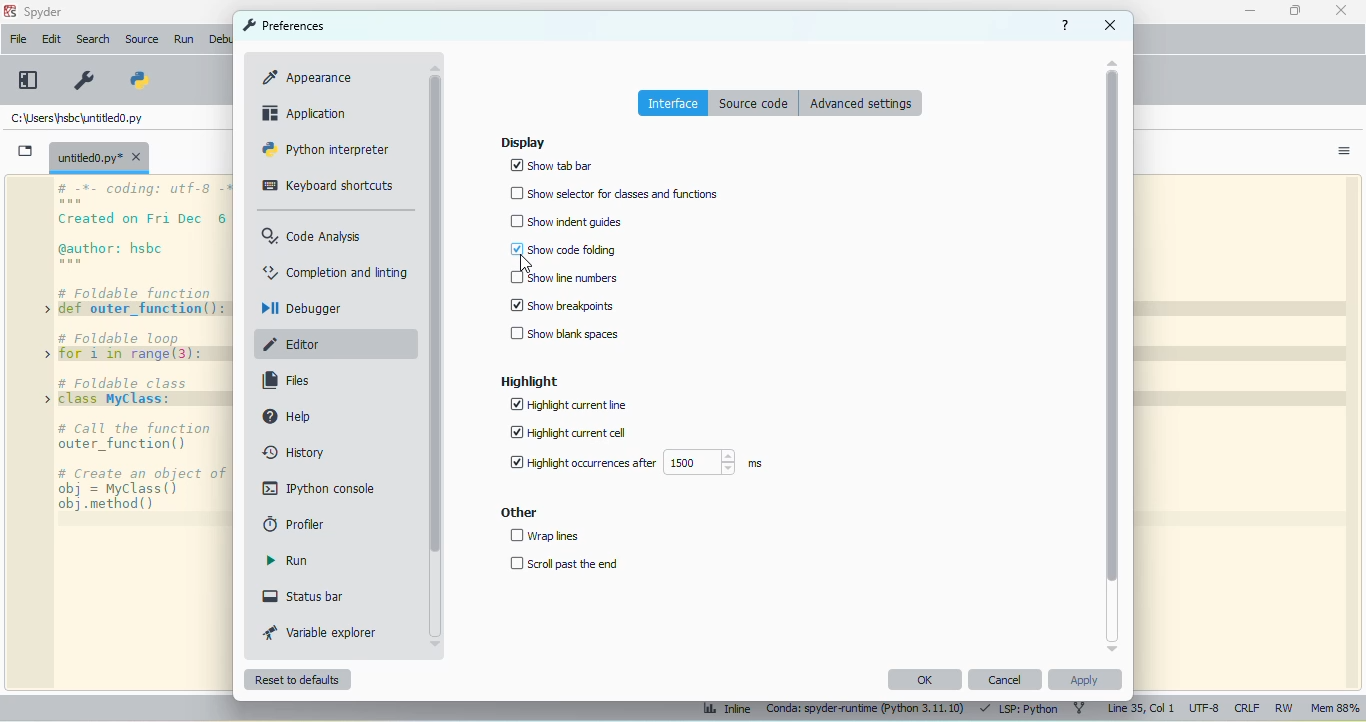 The width and height of the screenshot is (1366, 722). Describe the element at coordinates (562, 305) in the screenshot. I see `show breakpoints` at that location.